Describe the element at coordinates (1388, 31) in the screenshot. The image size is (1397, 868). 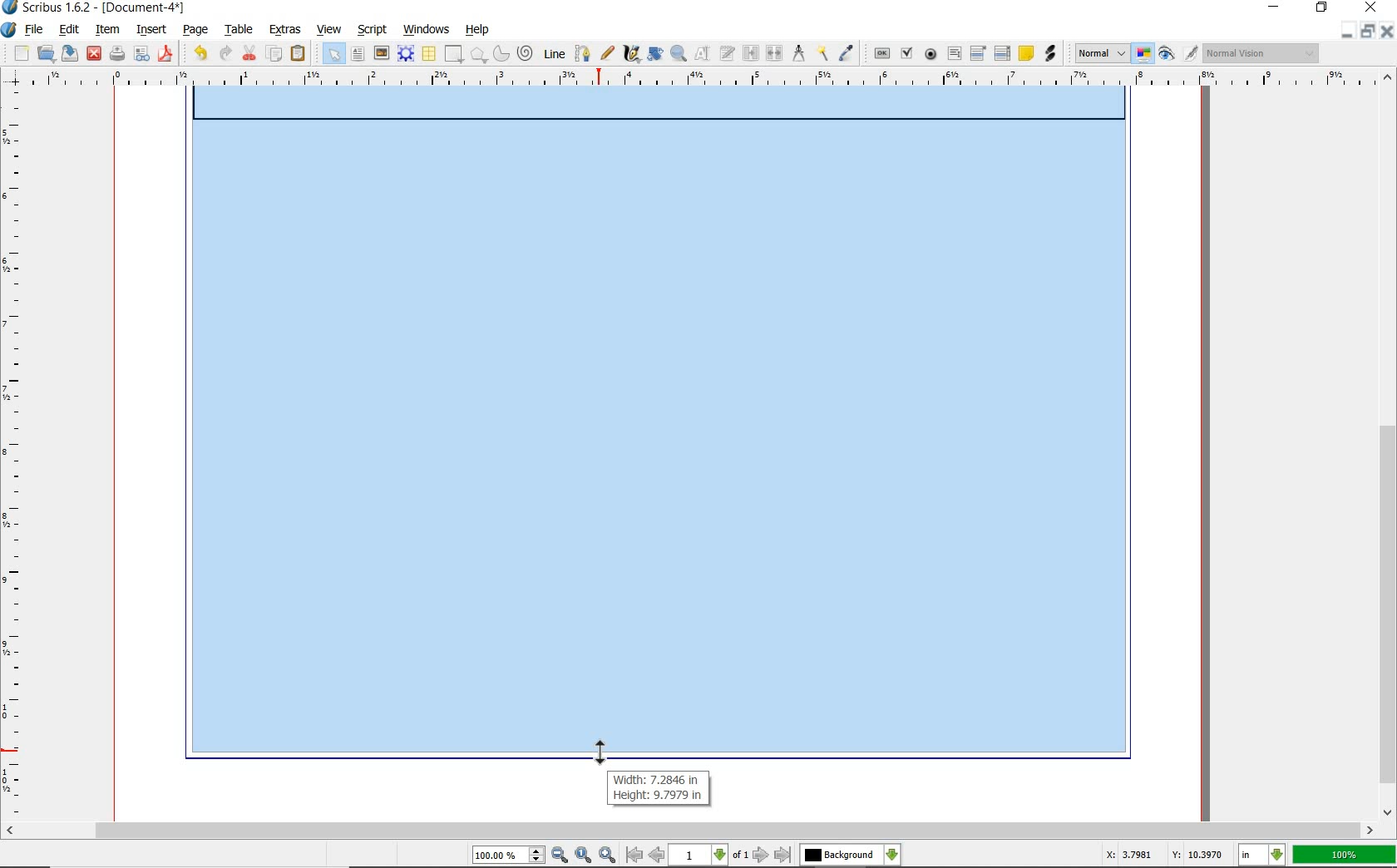
I see `close` at that location.